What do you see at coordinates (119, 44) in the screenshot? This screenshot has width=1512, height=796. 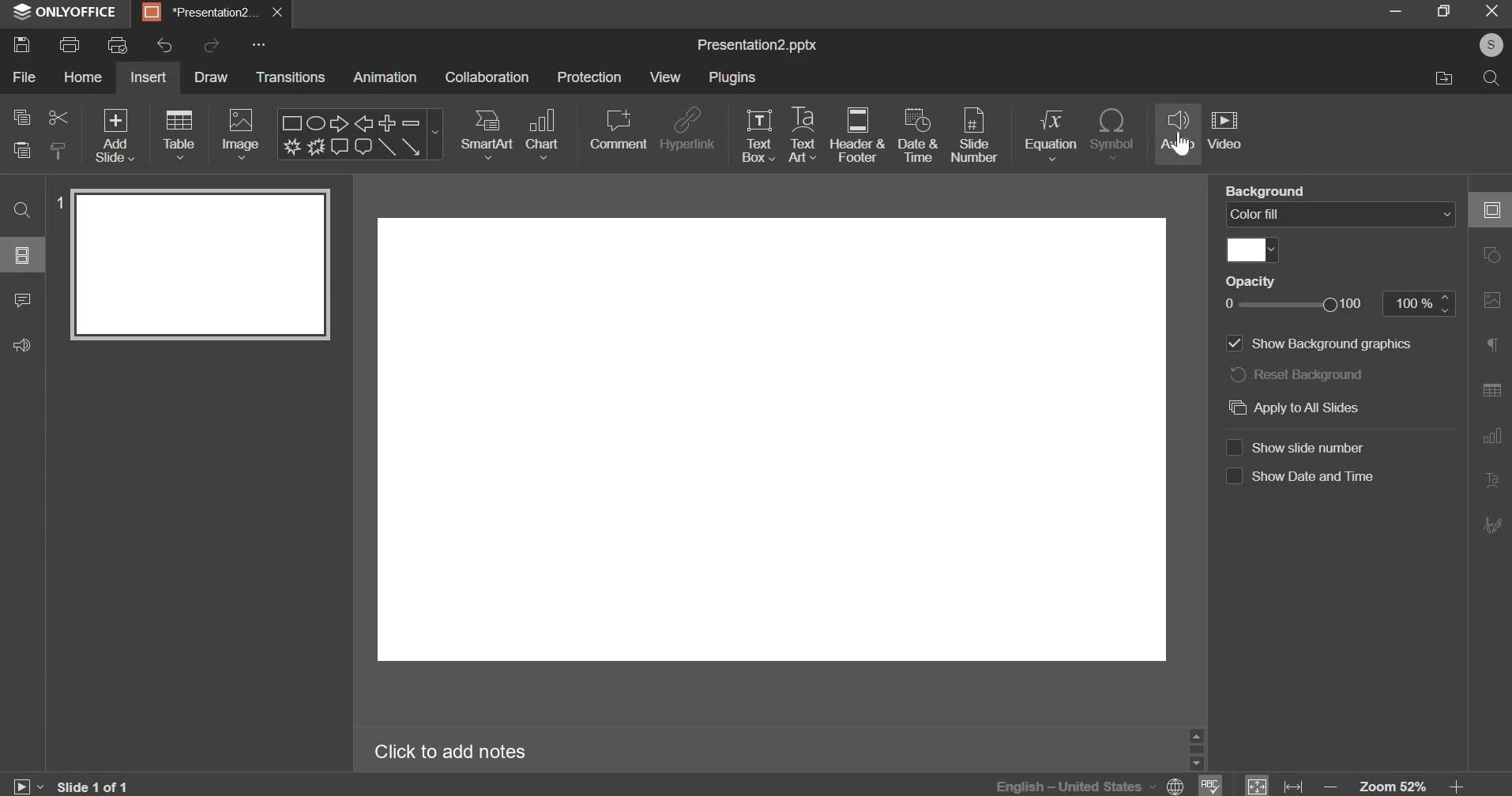 I see `print preview` at bounding box center [119, 44].